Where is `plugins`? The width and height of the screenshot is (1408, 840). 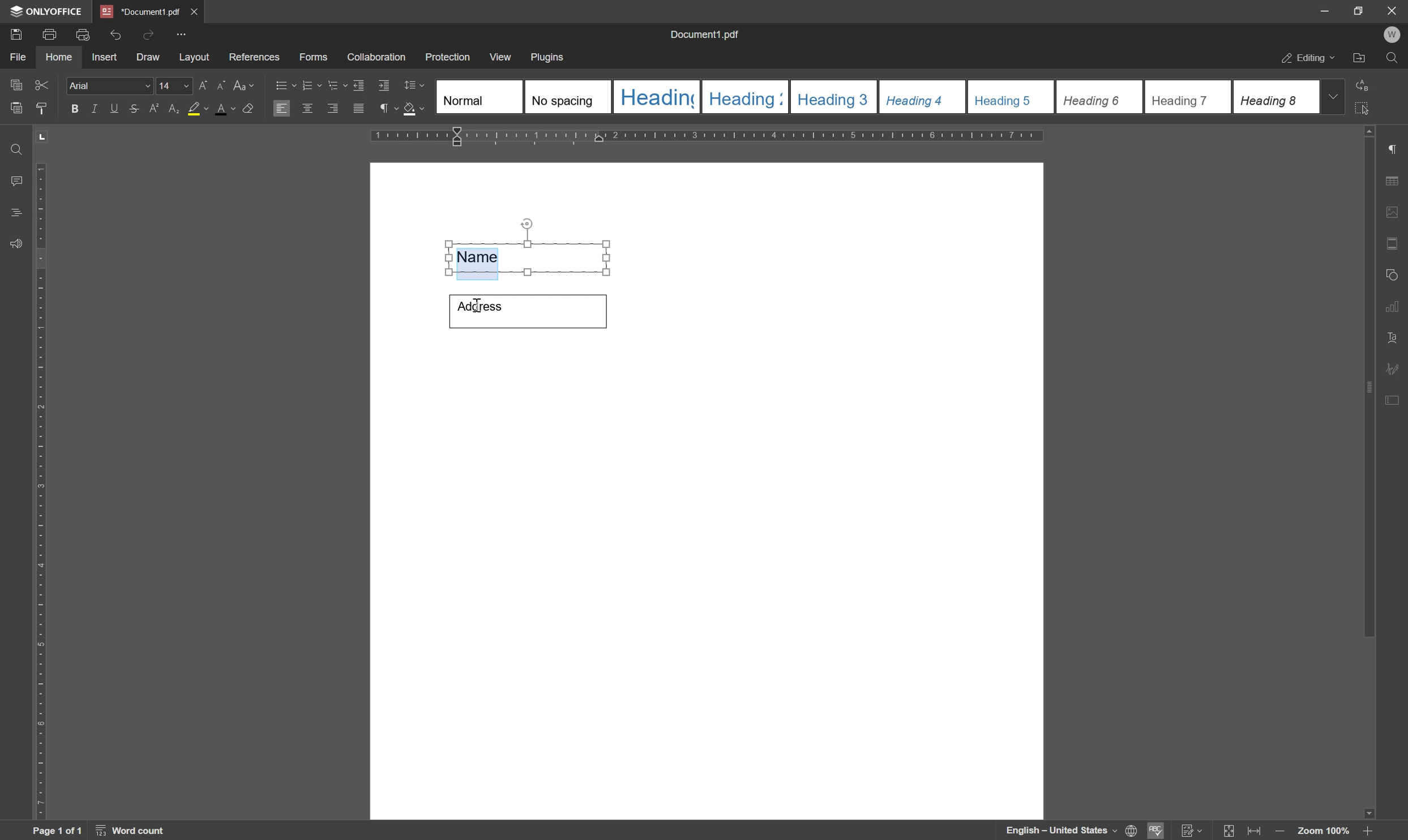
plugins is located at coordinates (549, 58).